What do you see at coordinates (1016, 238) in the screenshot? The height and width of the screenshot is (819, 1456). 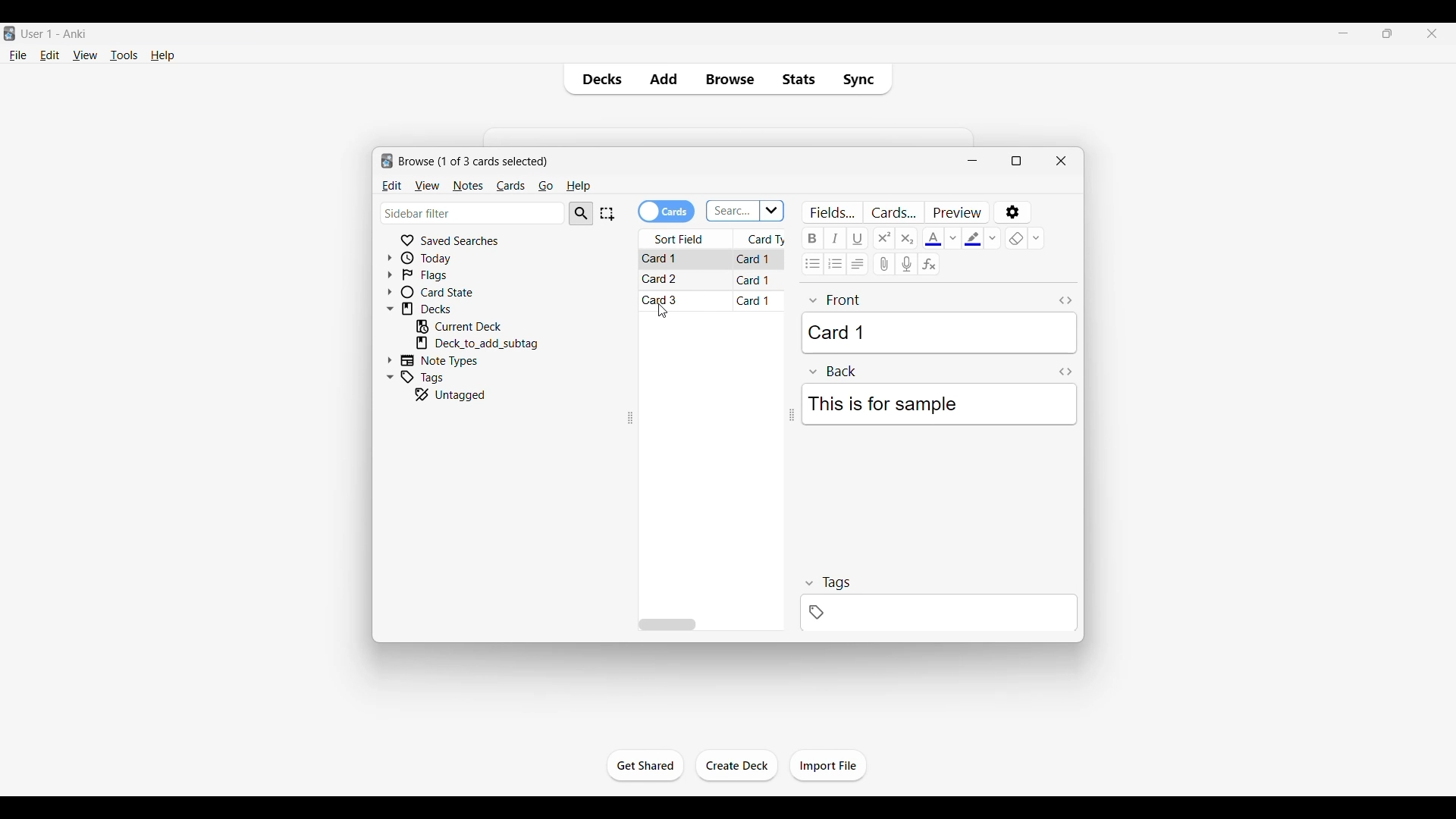 I see `eraser` at bounding box center [1016, 238].